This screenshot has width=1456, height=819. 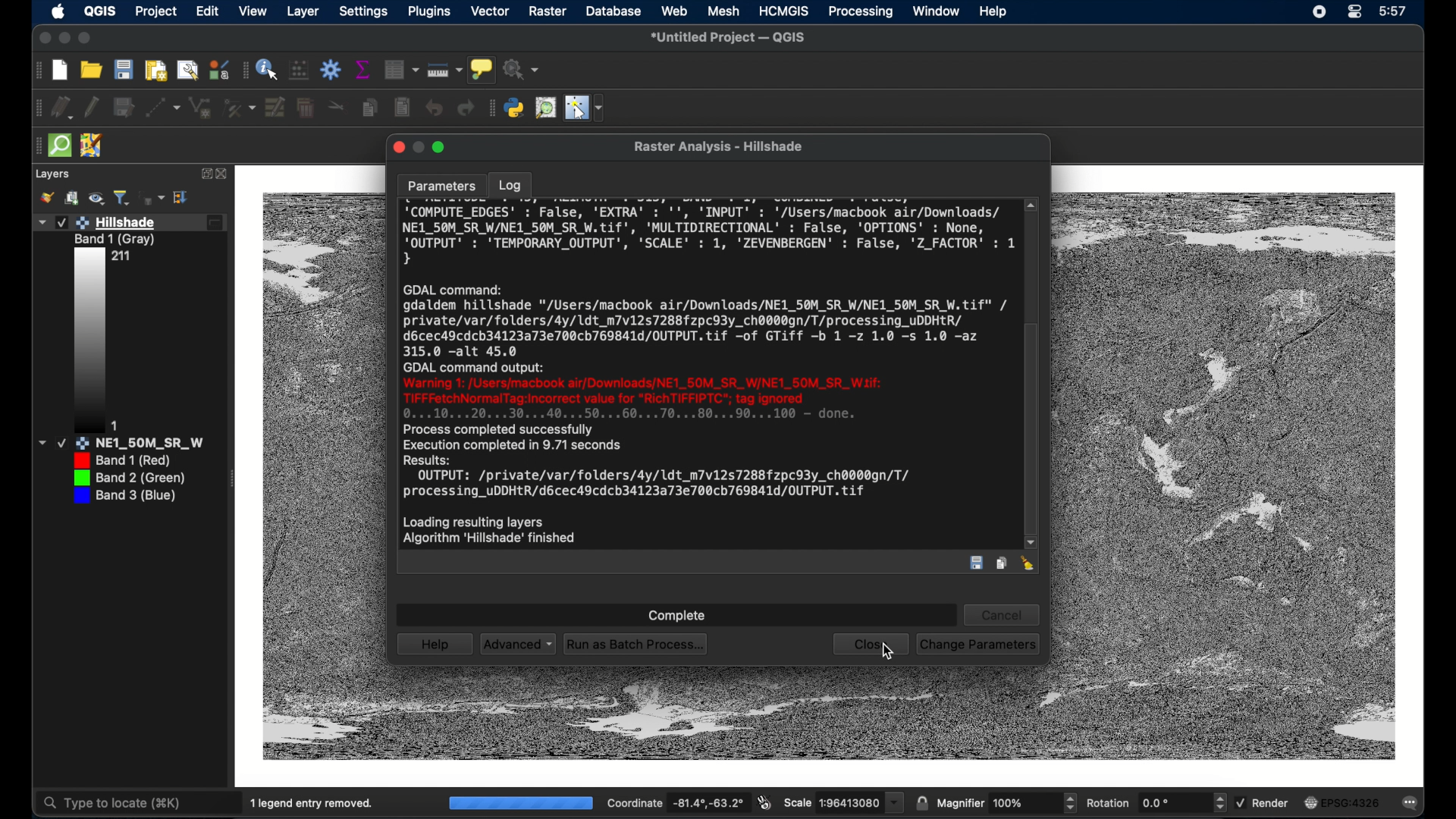 I want to click on untitled project - QGIS, so click(x=732, y=38).